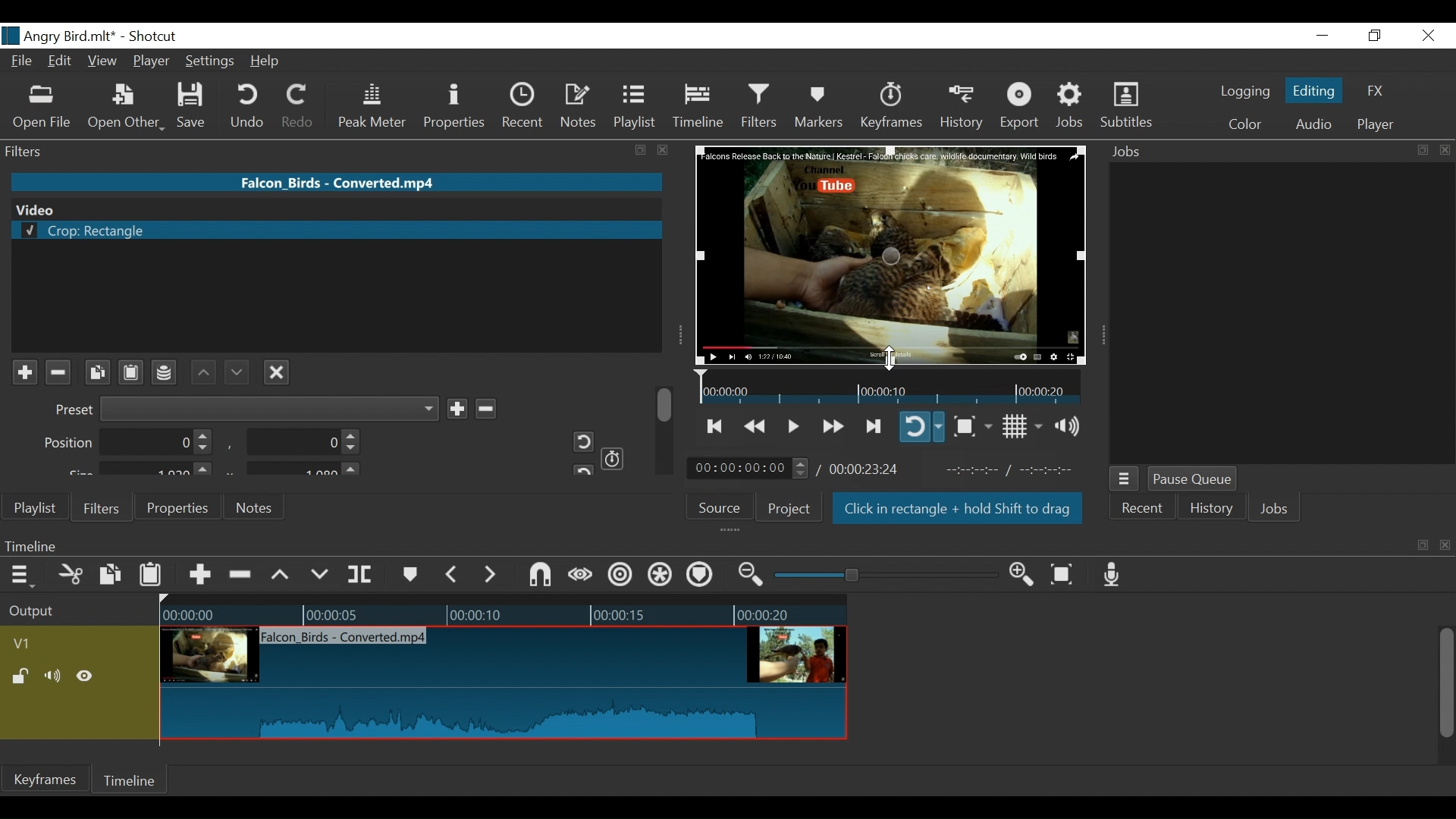  What do you see at coordinates (889, 575) in the screenshot?
I see `Zoom slider` at bounding box center [889, 575].